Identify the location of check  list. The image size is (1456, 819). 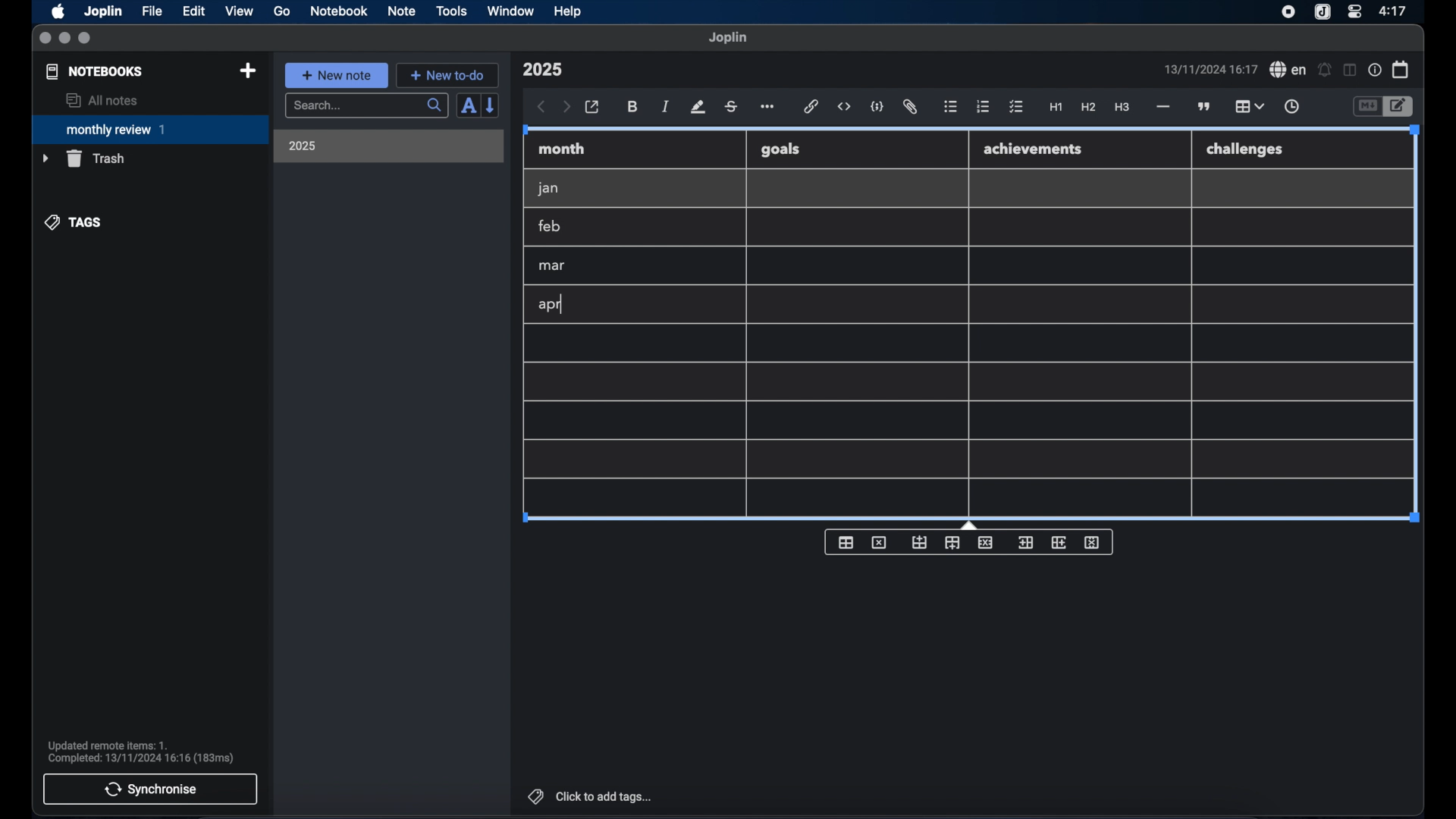
(1016, 108).